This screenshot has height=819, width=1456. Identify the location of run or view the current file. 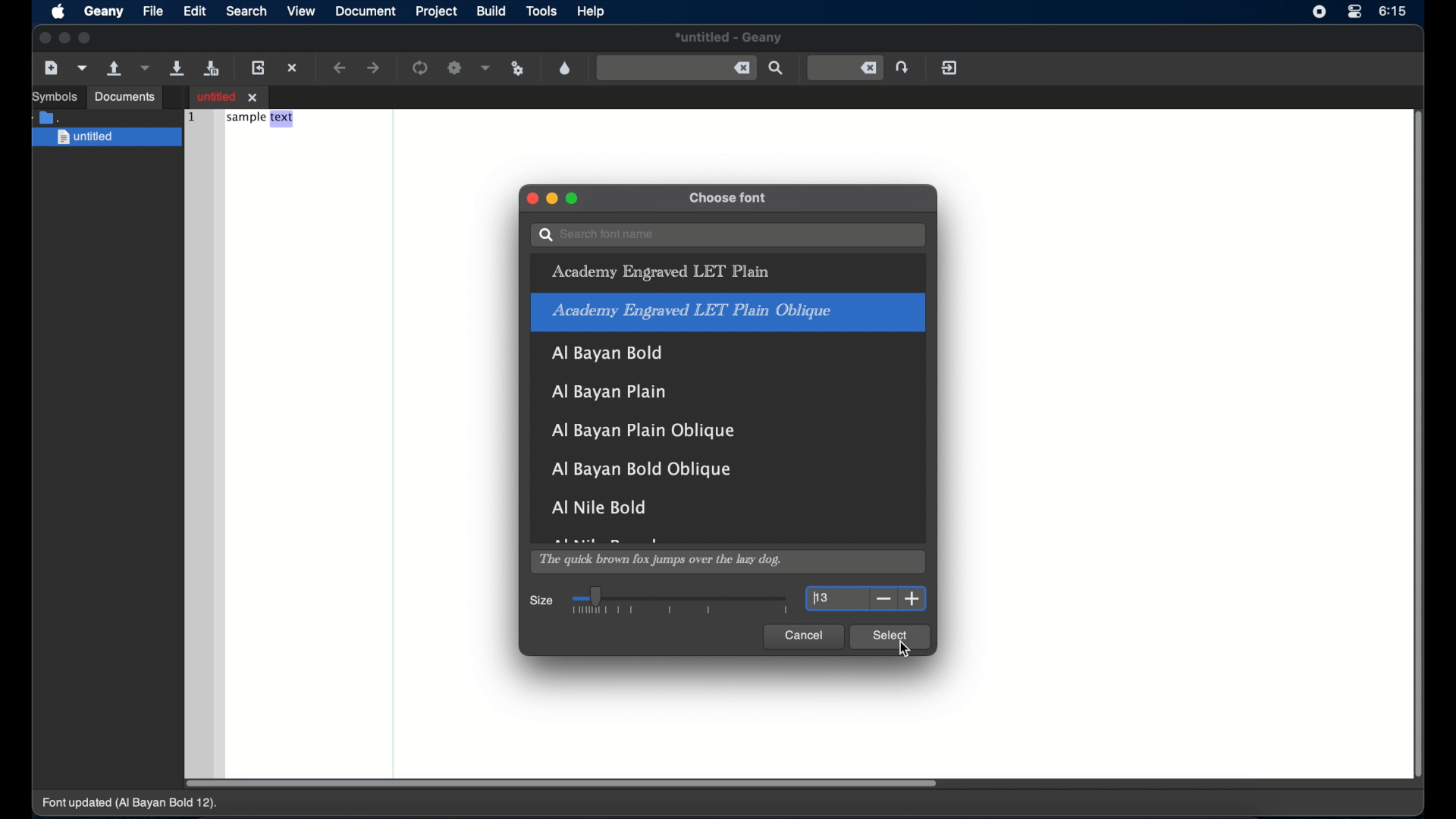
(518, 67).